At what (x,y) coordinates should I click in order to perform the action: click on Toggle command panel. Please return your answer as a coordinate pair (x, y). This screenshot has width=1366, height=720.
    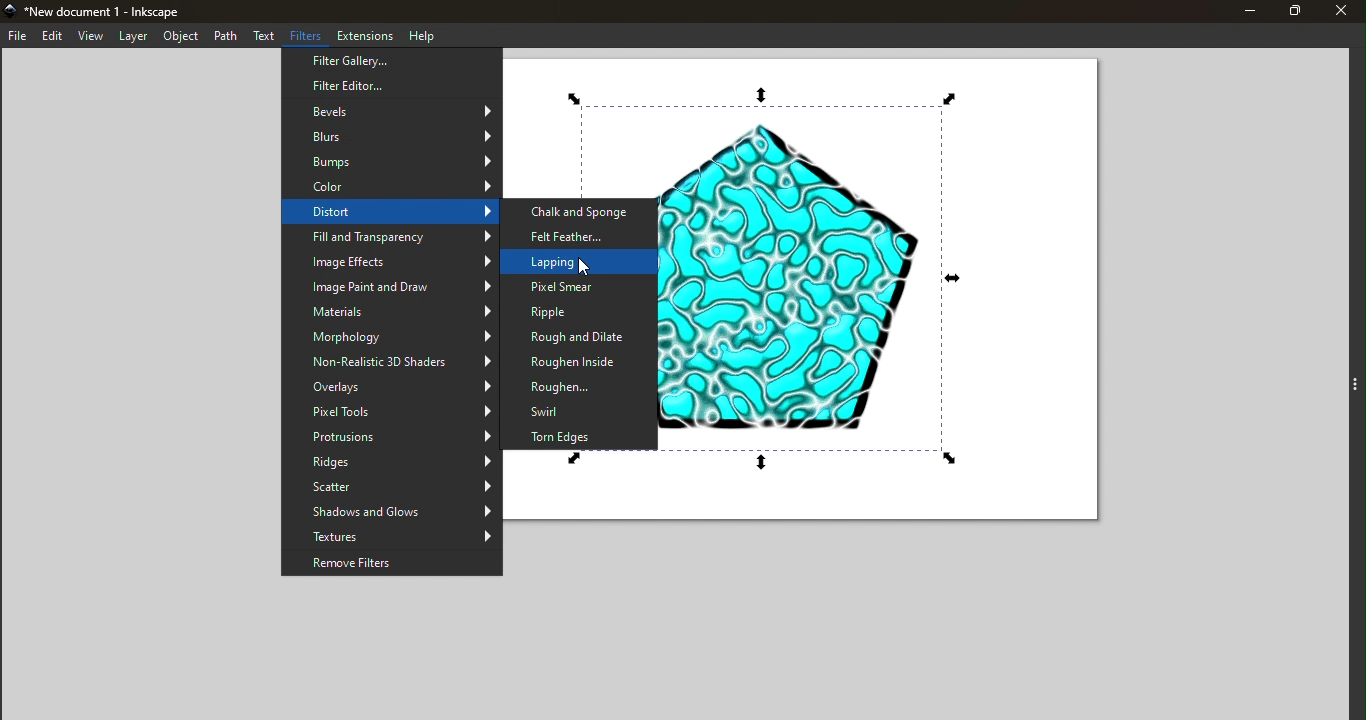
    Looking at the image, I should click on (1340, 386).